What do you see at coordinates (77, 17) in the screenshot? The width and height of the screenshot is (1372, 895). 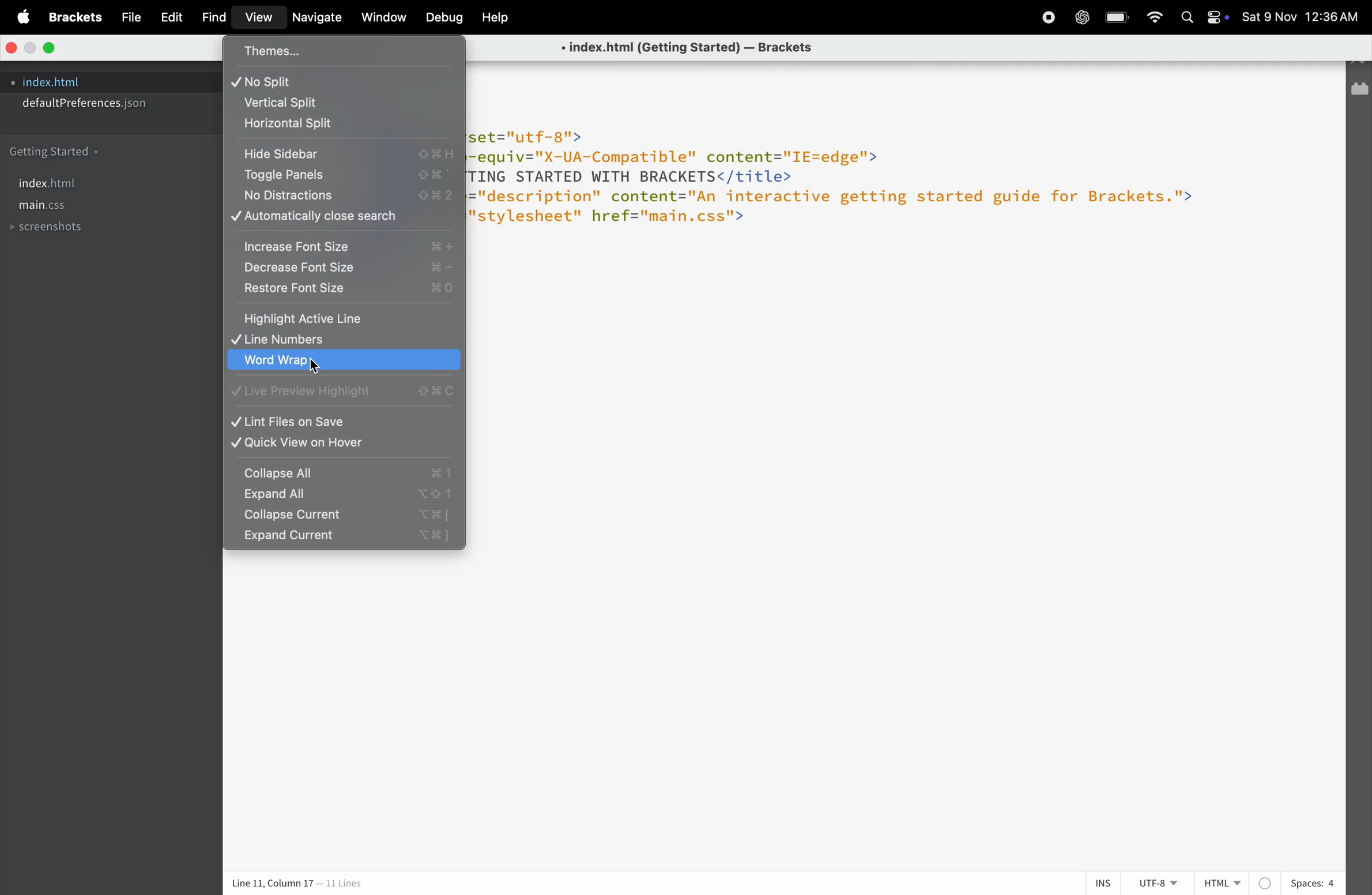 I see `brackets` at bounding box center [77, 17].